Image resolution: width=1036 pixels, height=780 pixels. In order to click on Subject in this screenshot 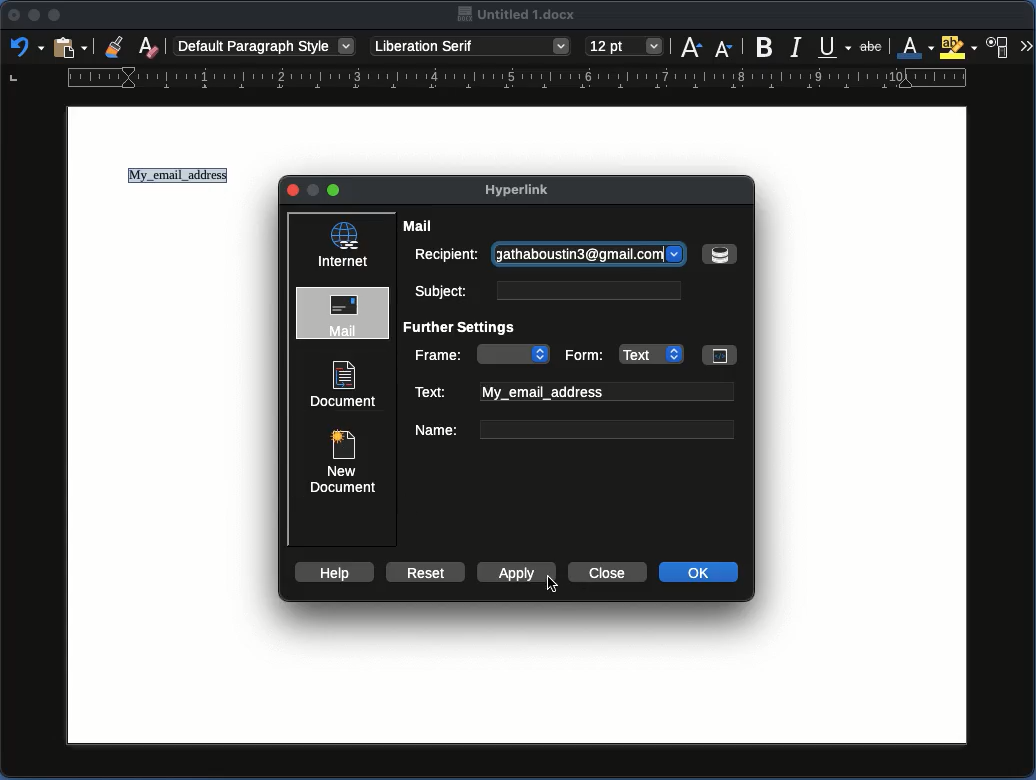, I will do `click(544, 290)`.